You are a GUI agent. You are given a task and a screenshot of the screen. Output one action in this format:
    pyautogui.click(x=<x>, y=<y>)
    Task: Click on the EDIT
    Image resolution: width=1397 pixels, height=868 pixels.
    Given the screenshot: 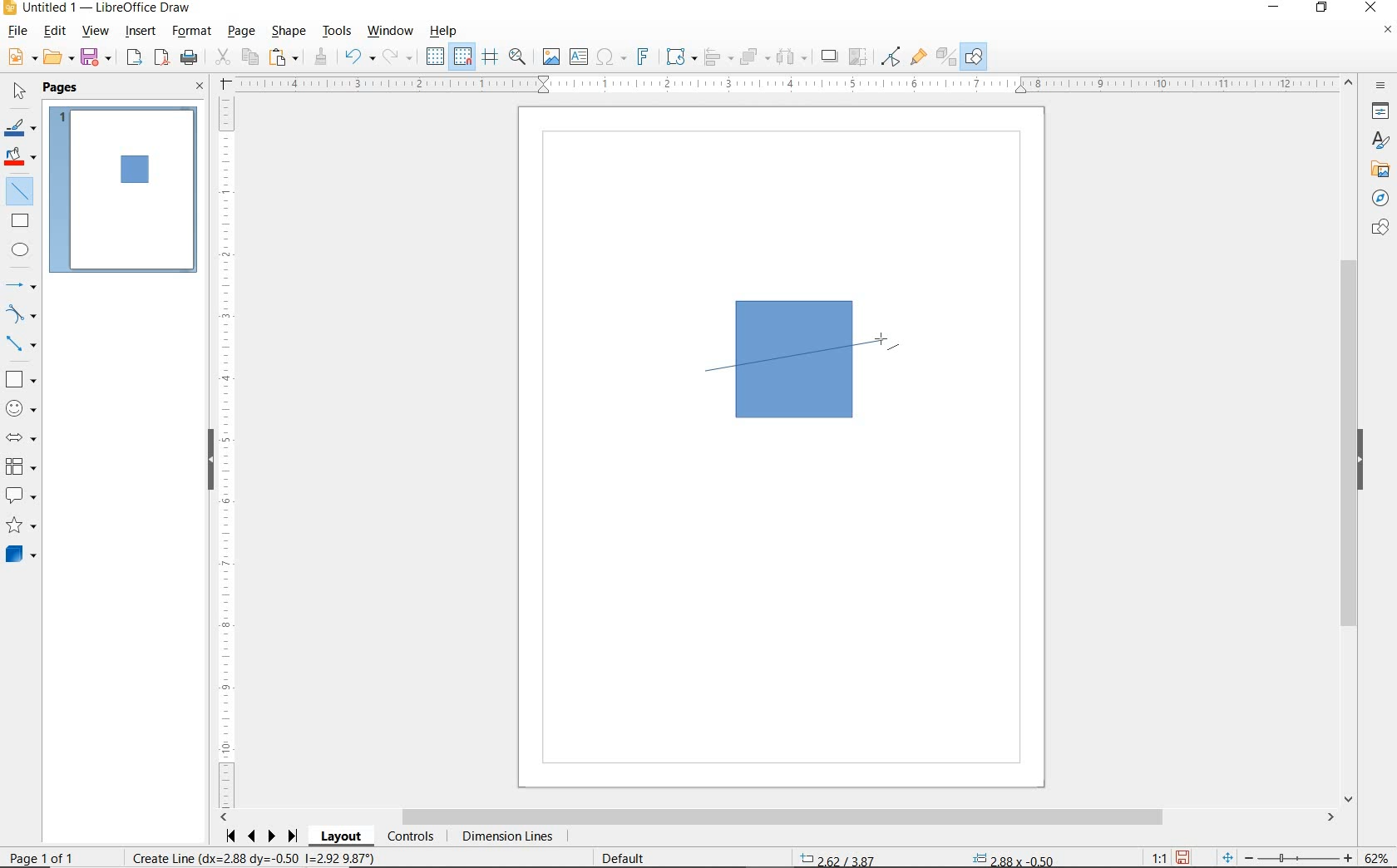 What is the action you would take?
    pyautogui.click(x=55, y=31)
    